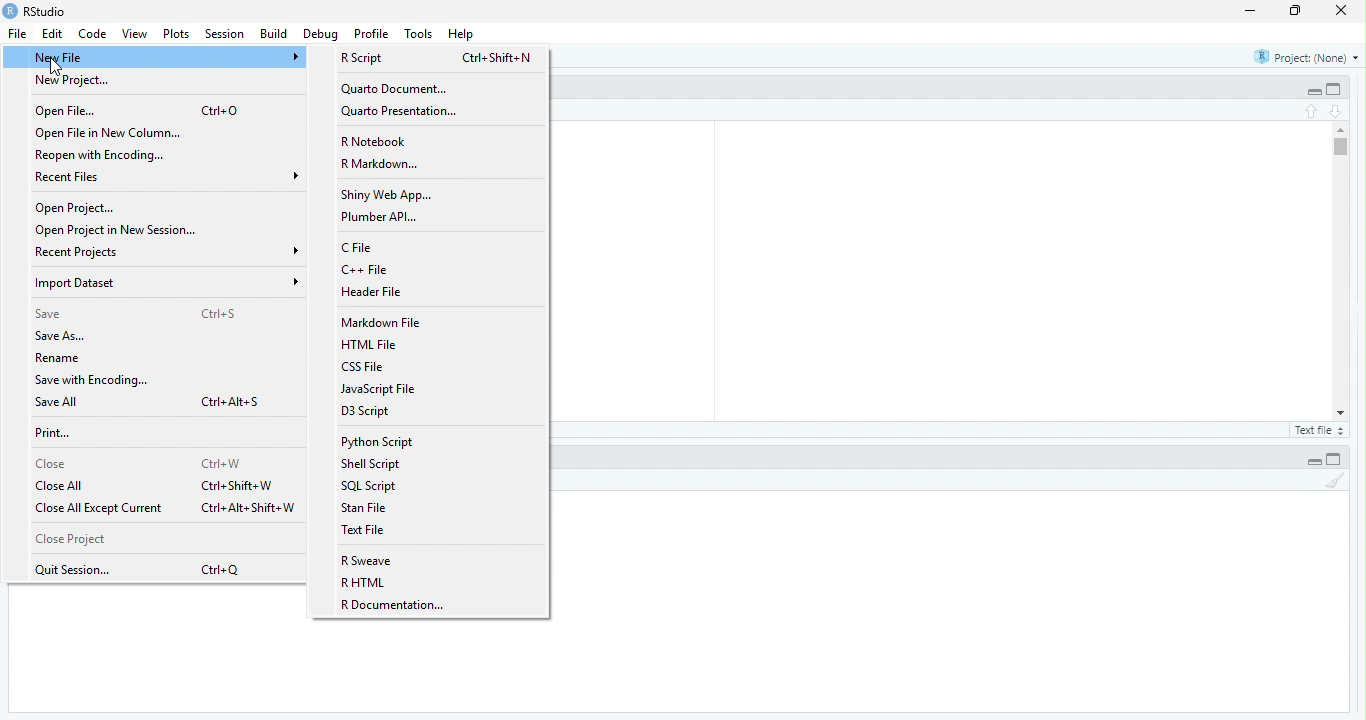 Image resolution: width=1366 pixels, height=720 pixels. Describe the element at coordinates (365, 508) in the screenshot. I see `Stan File` at that location.